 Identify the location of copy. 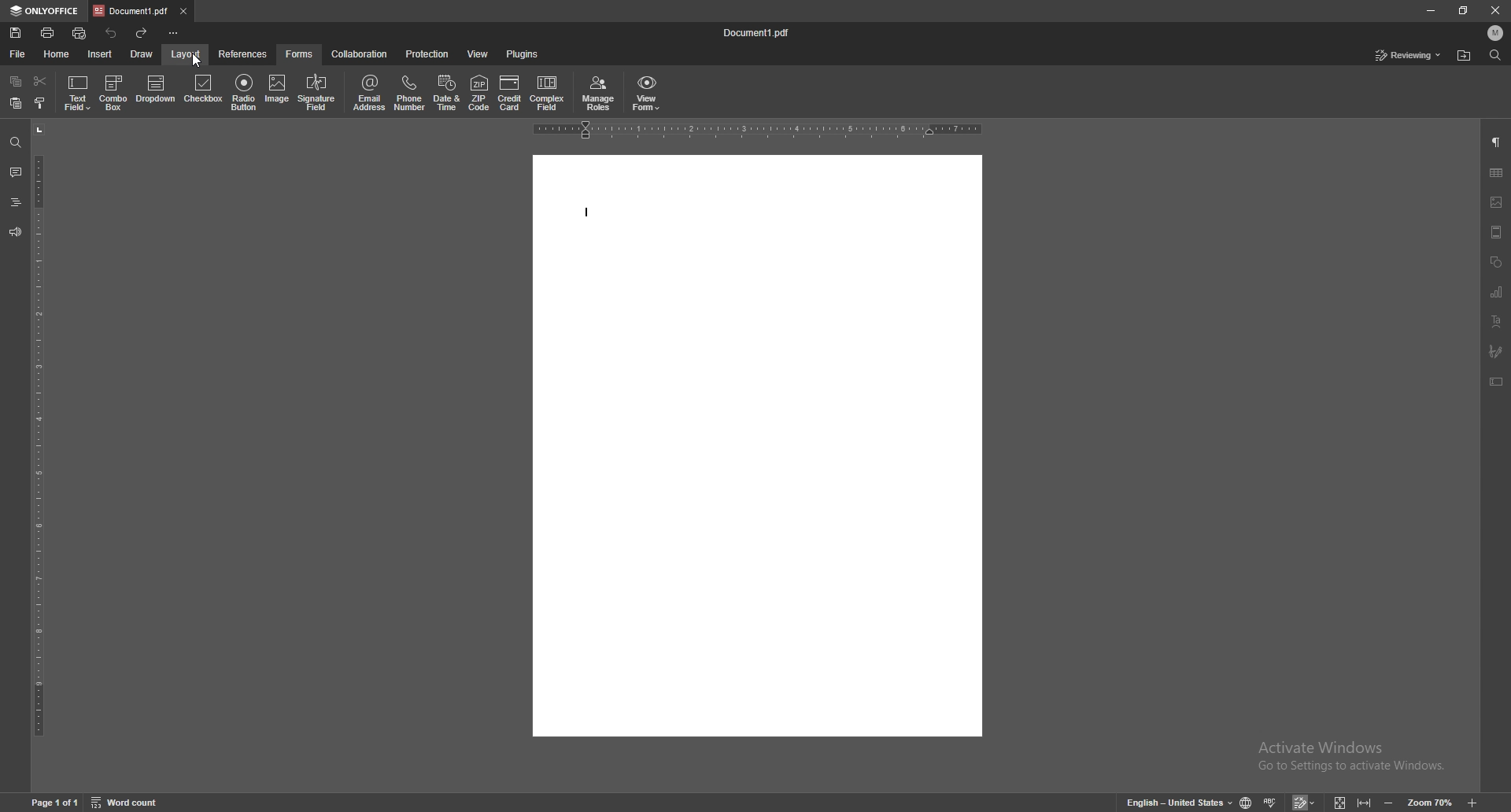
(17, 81).